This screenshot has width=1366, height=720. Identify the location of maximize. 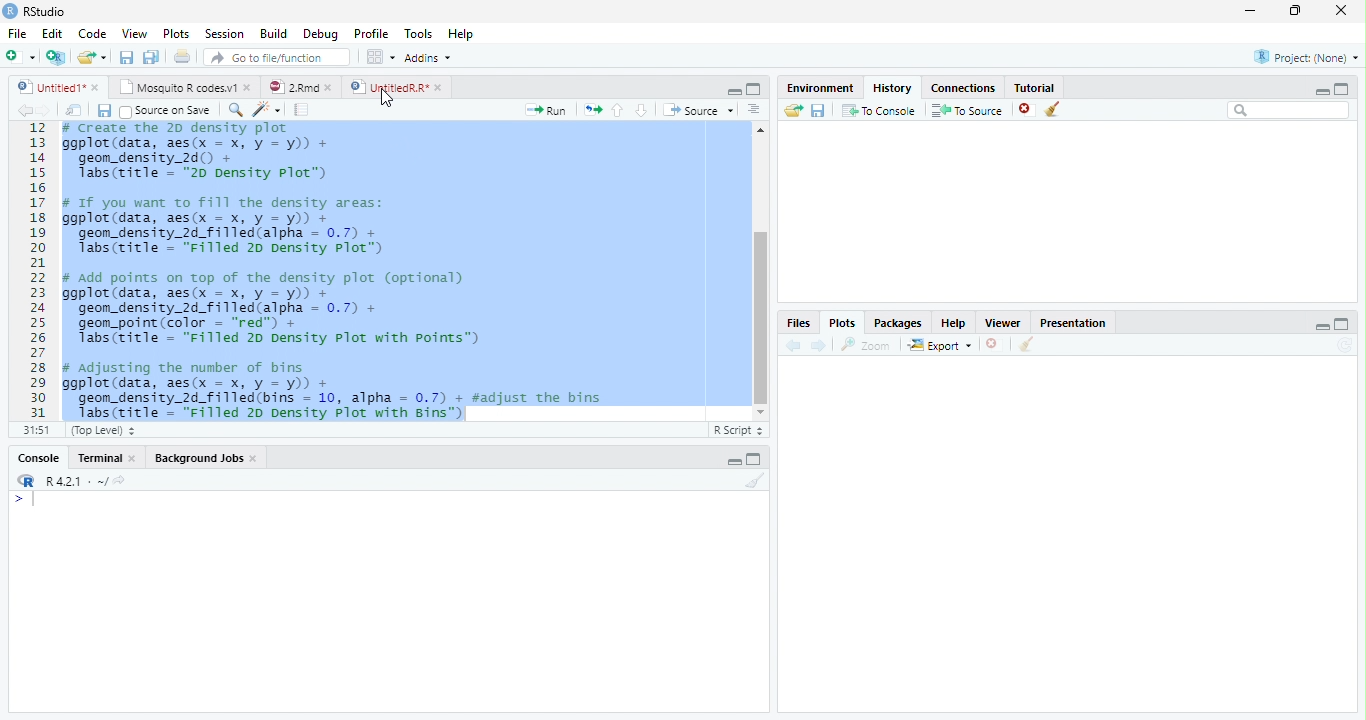
(754, 88).